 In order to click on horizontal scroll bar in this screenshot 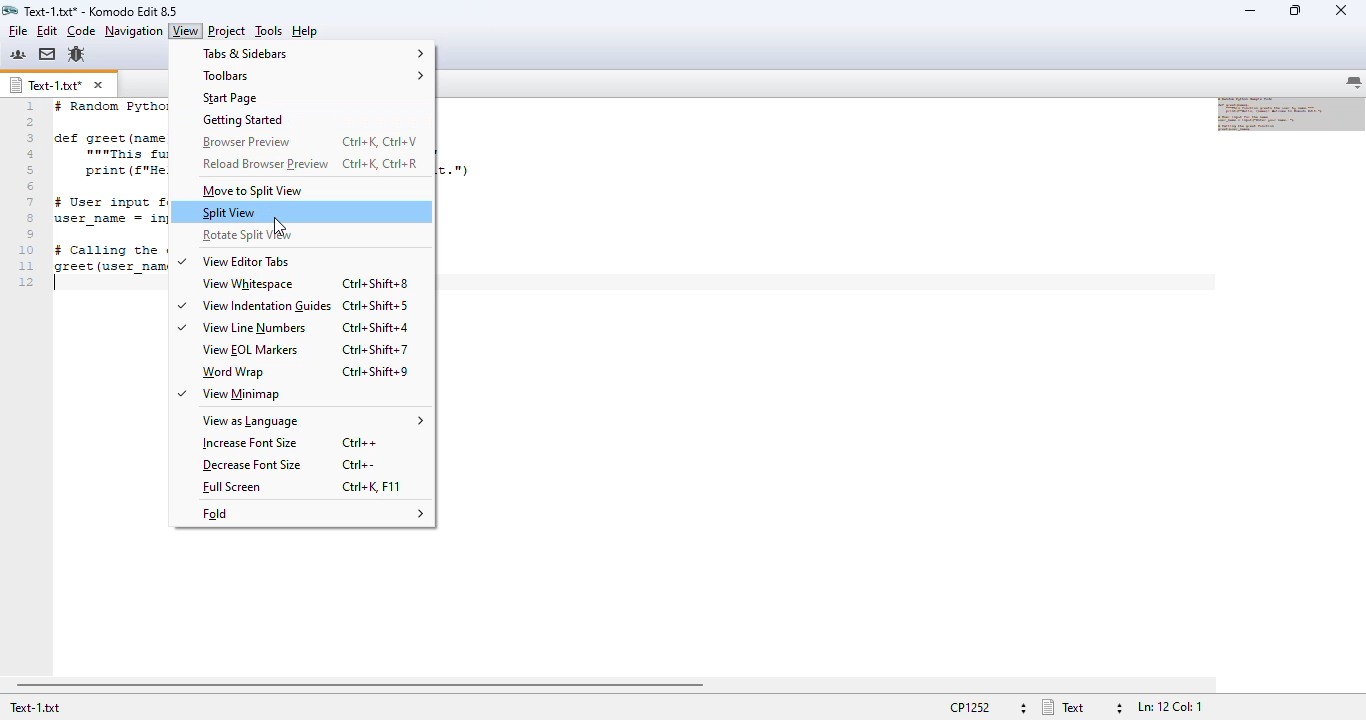, I will do `click(359, 686)`.